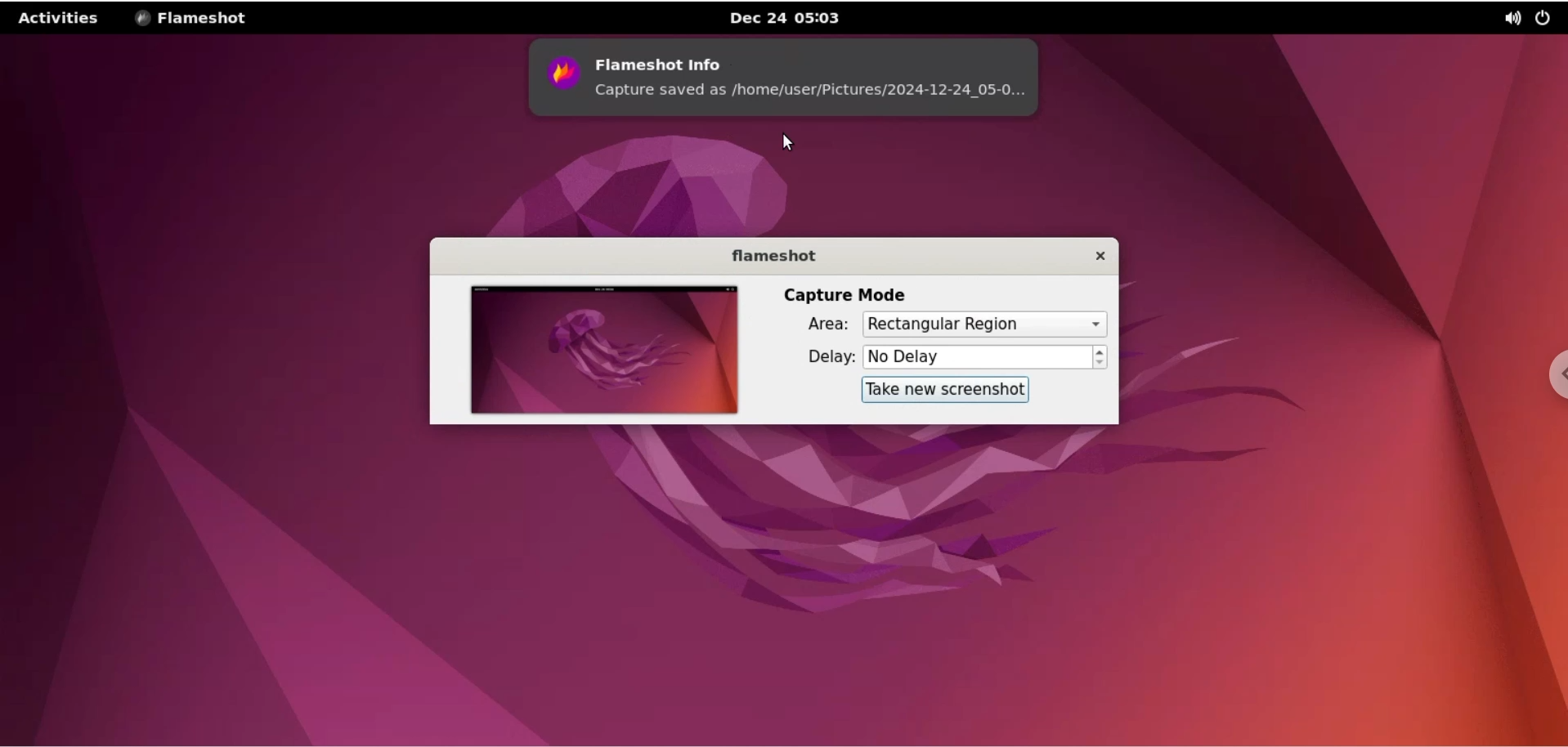  I want to click on activities , so click(60, 18).